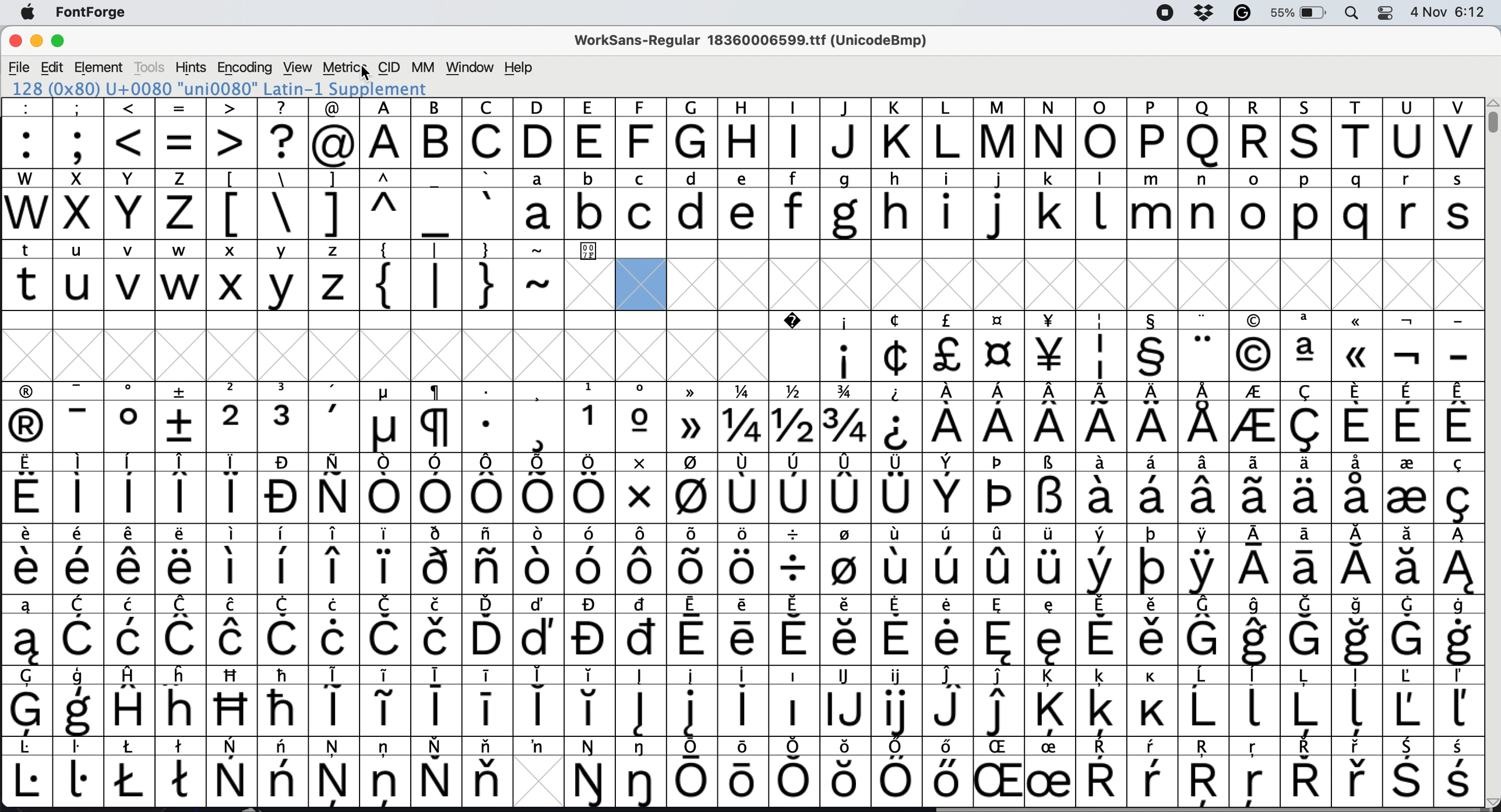  What do you see at coordinates (741, 746) in the screenshot?
I see `special characters` at bounding box center [741, 746].